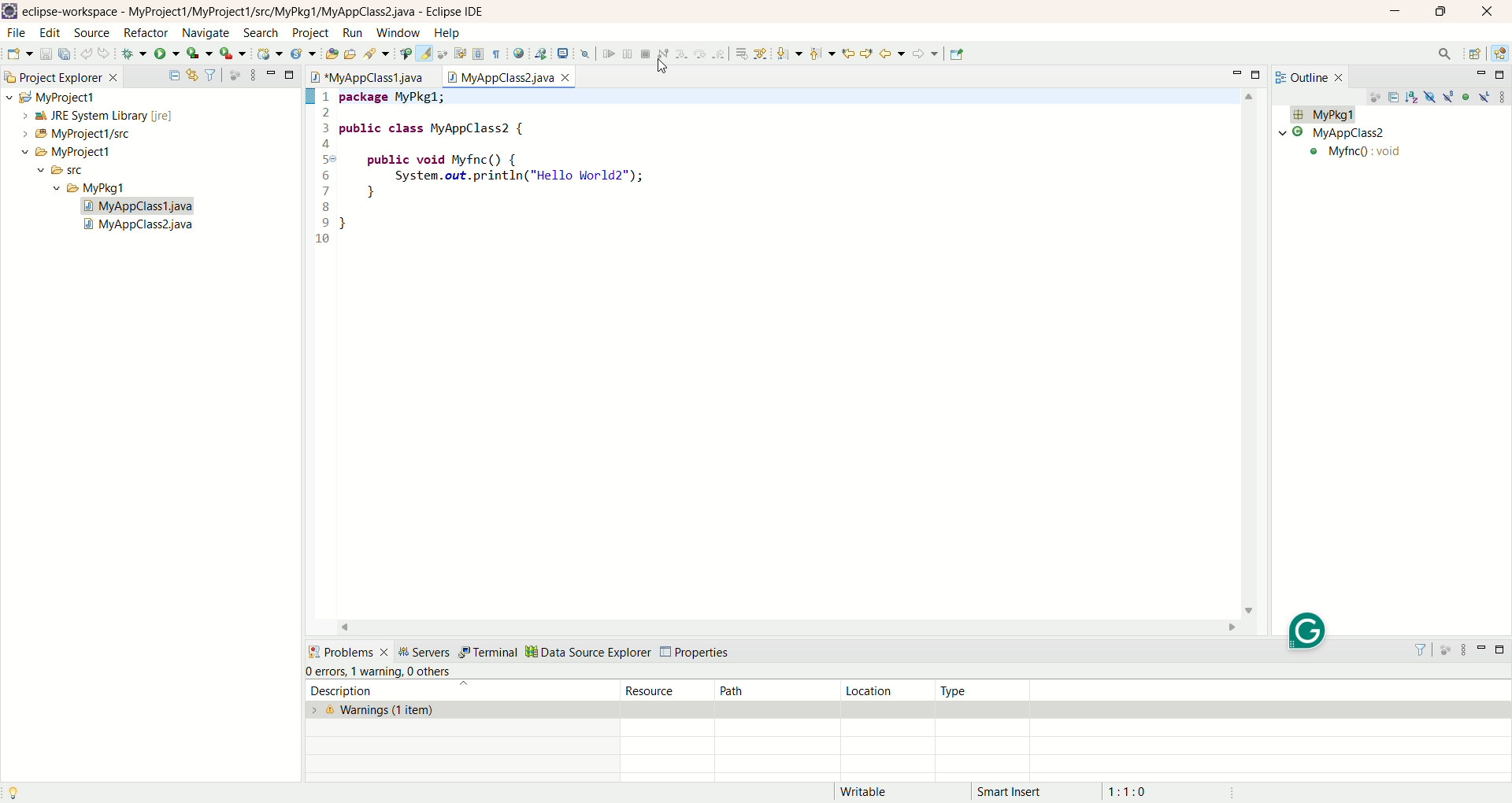  I want to click on servers, so click(424, 651).